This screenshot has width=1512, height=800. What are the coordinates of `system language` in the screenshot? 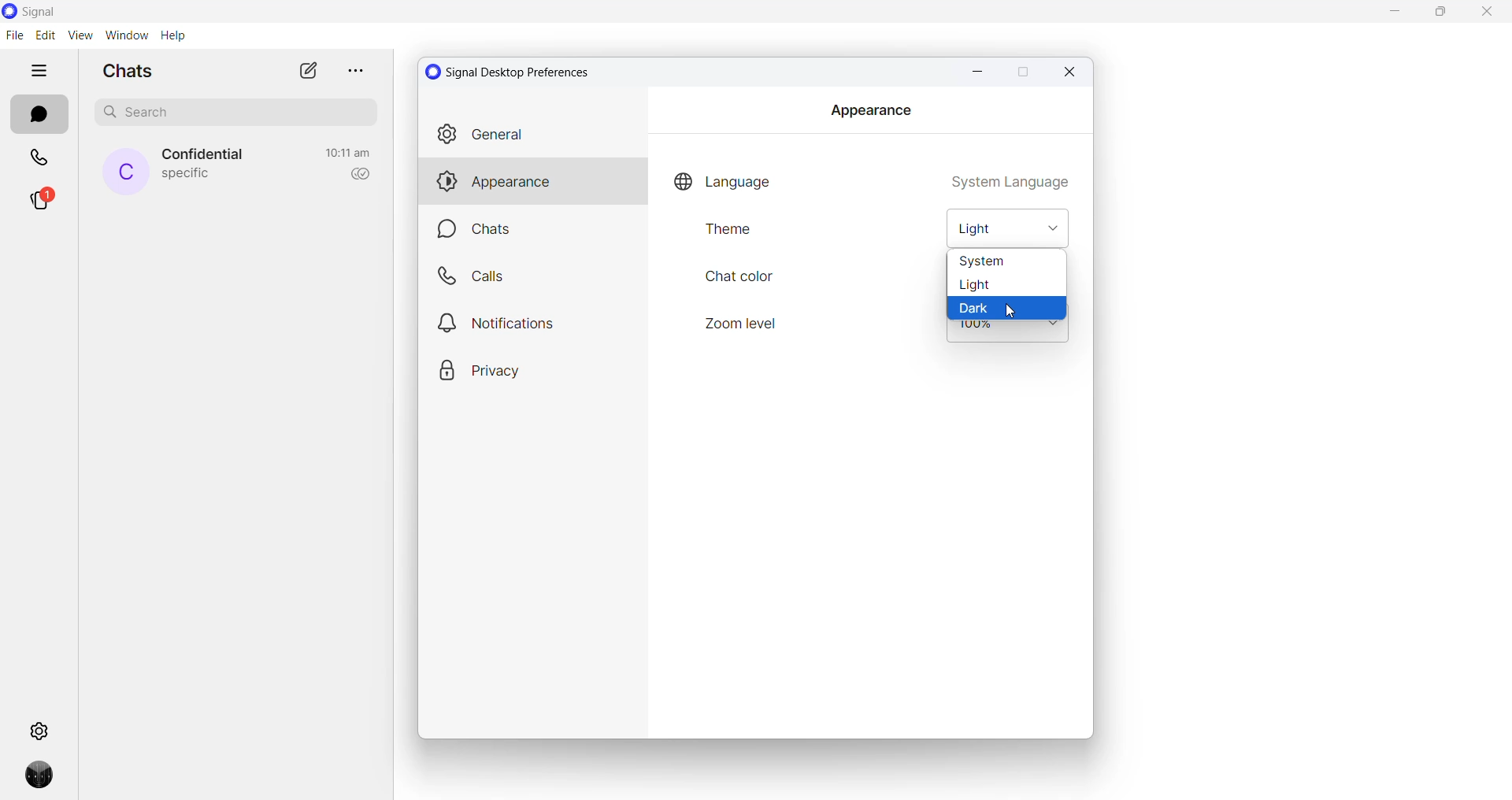 It's located at (1010, 179).